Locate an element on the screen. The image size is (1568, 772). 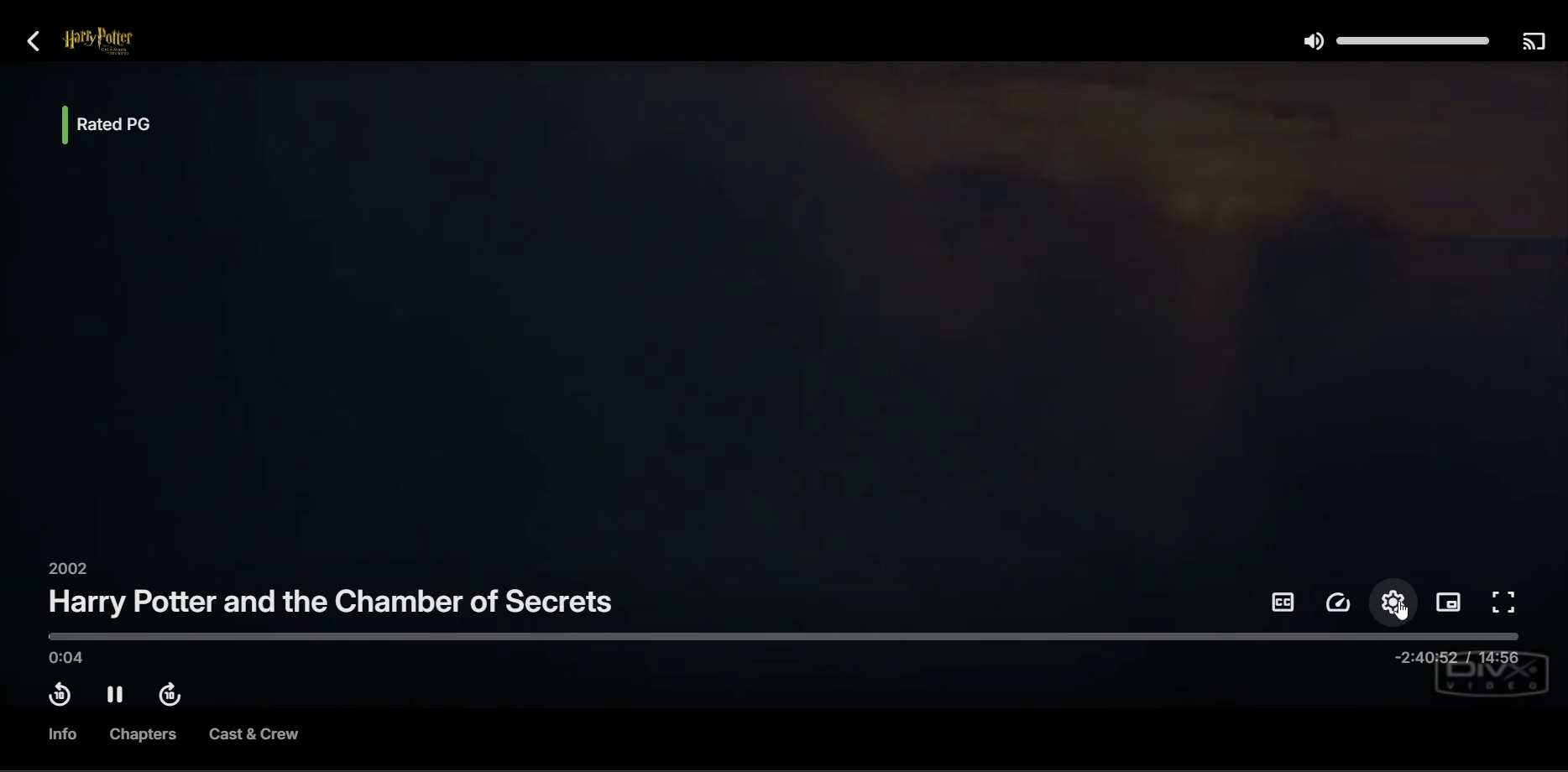
Rewind is located at coordinates (58, 697).